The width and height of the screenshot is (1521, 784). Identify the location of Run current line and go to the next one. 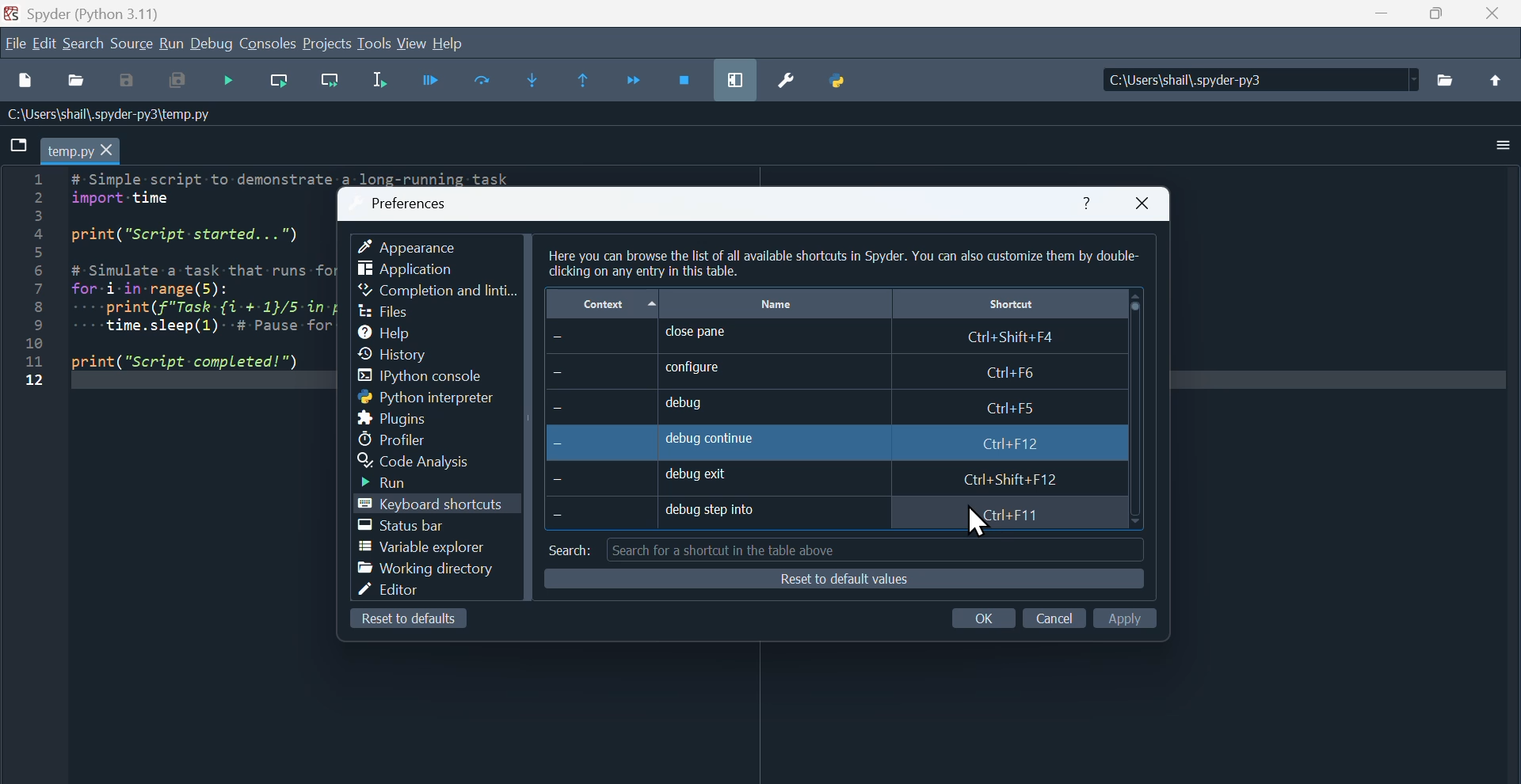
(330, 83).